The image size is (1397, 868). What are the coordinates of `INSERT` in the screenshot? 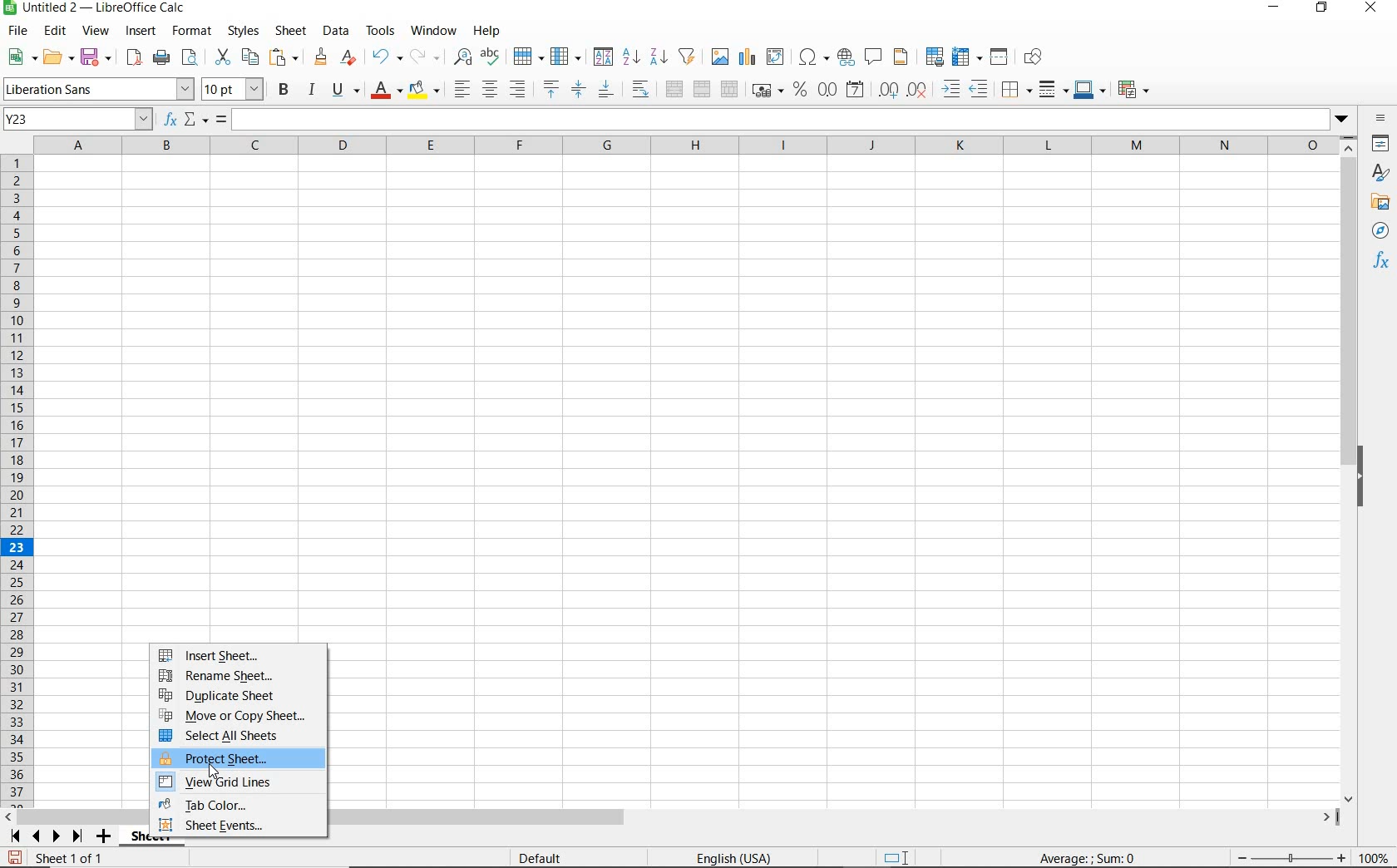 It's located at (141, 32).